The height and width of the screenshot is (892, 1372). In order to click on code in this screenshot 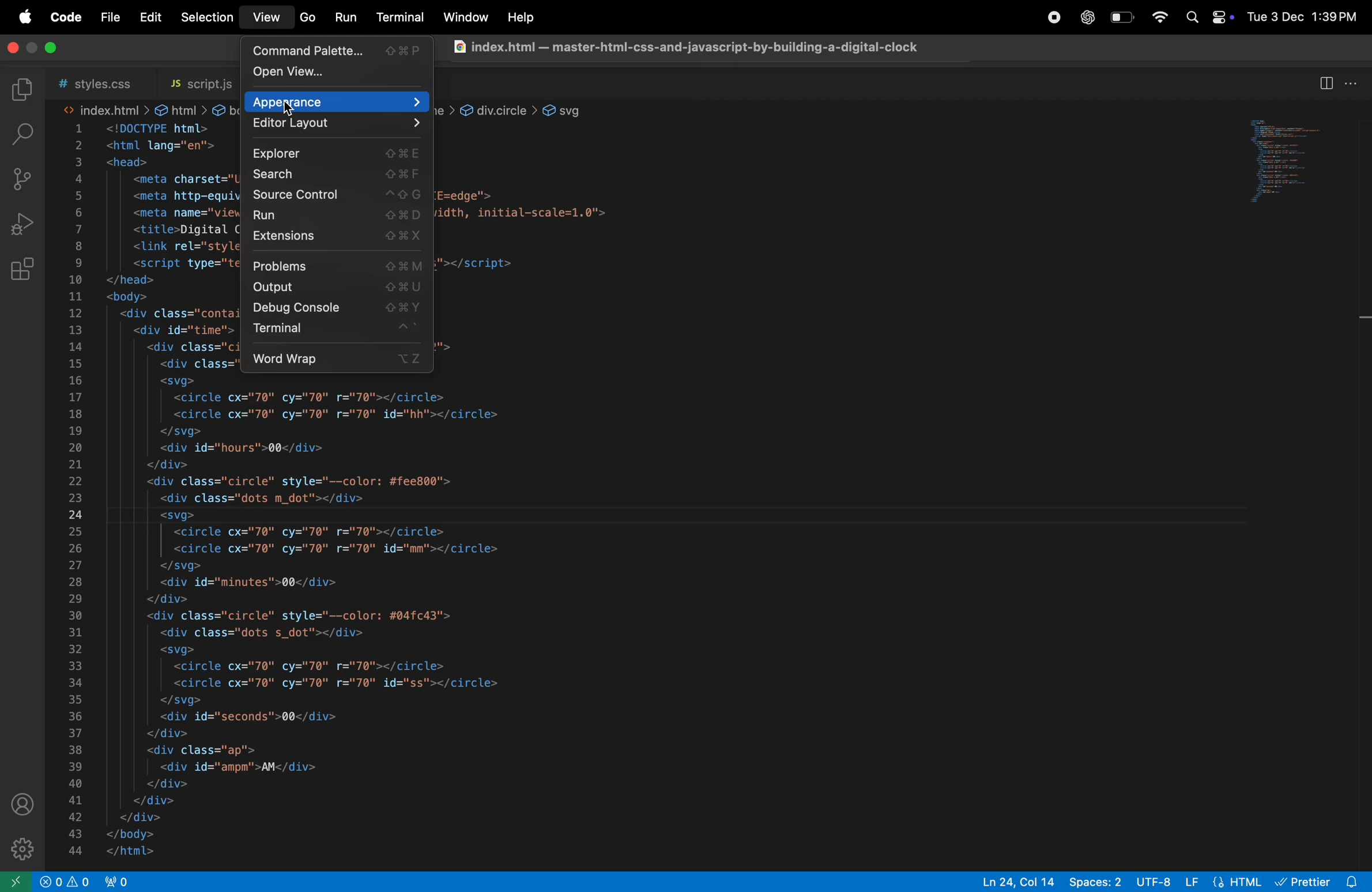, I will do `click(66, 17)`.